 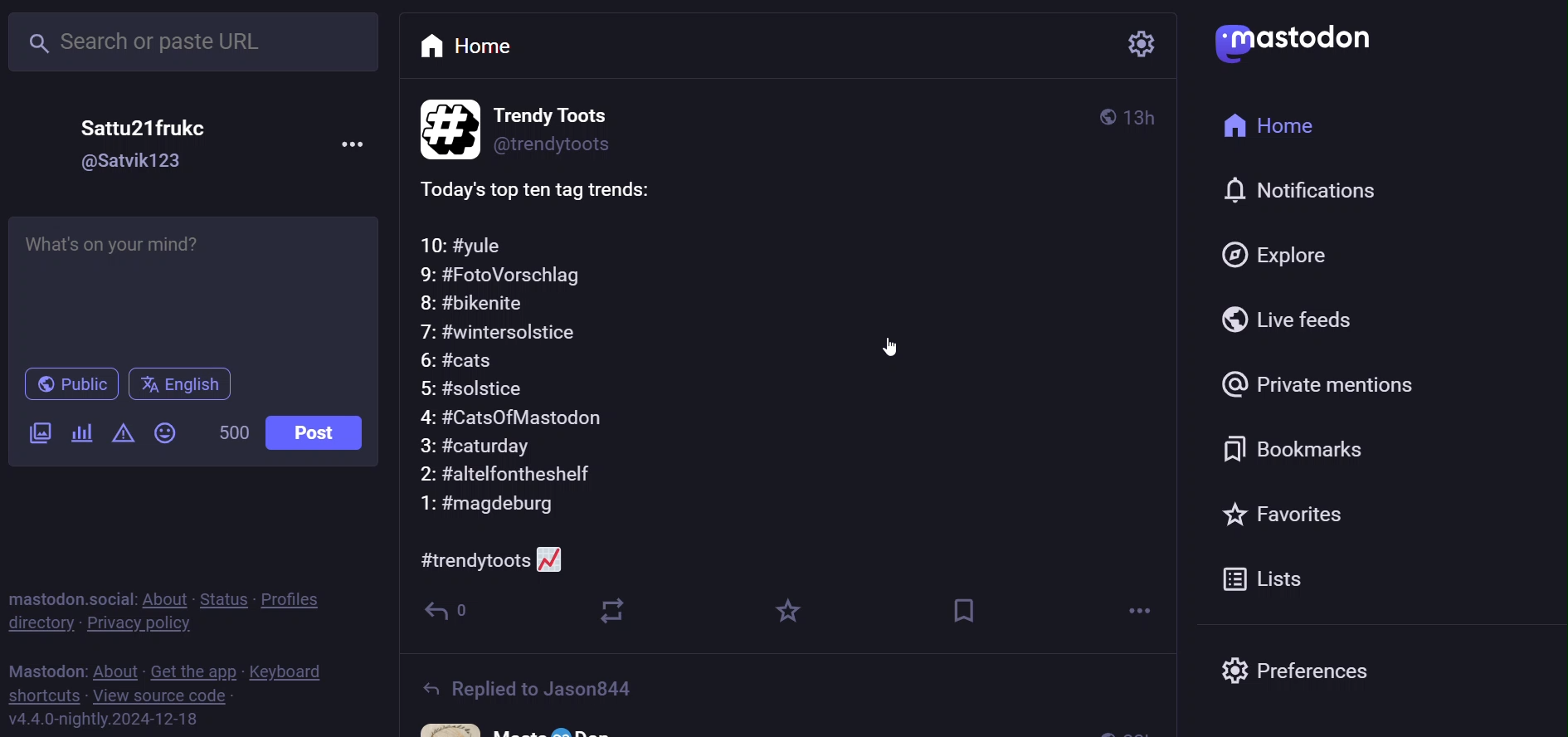 What do you see at coordinates (195, 287) in the screenshot?
I see `What's on your mind` at bounding box center [195, 287].